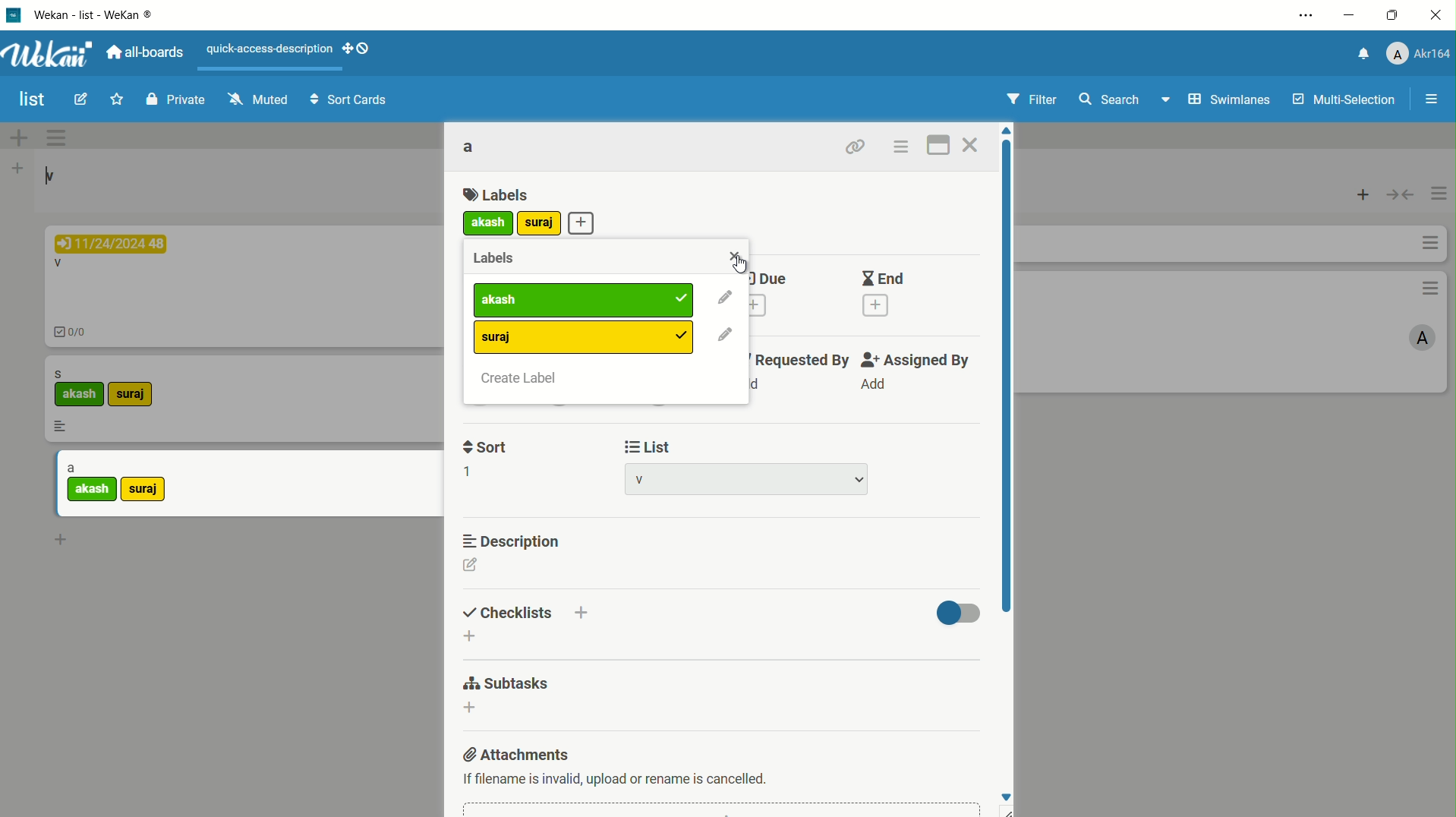  What do you see at coordinates (1363, 195) in the screenshot?
I see `add` at bounding box center [1363, 195].